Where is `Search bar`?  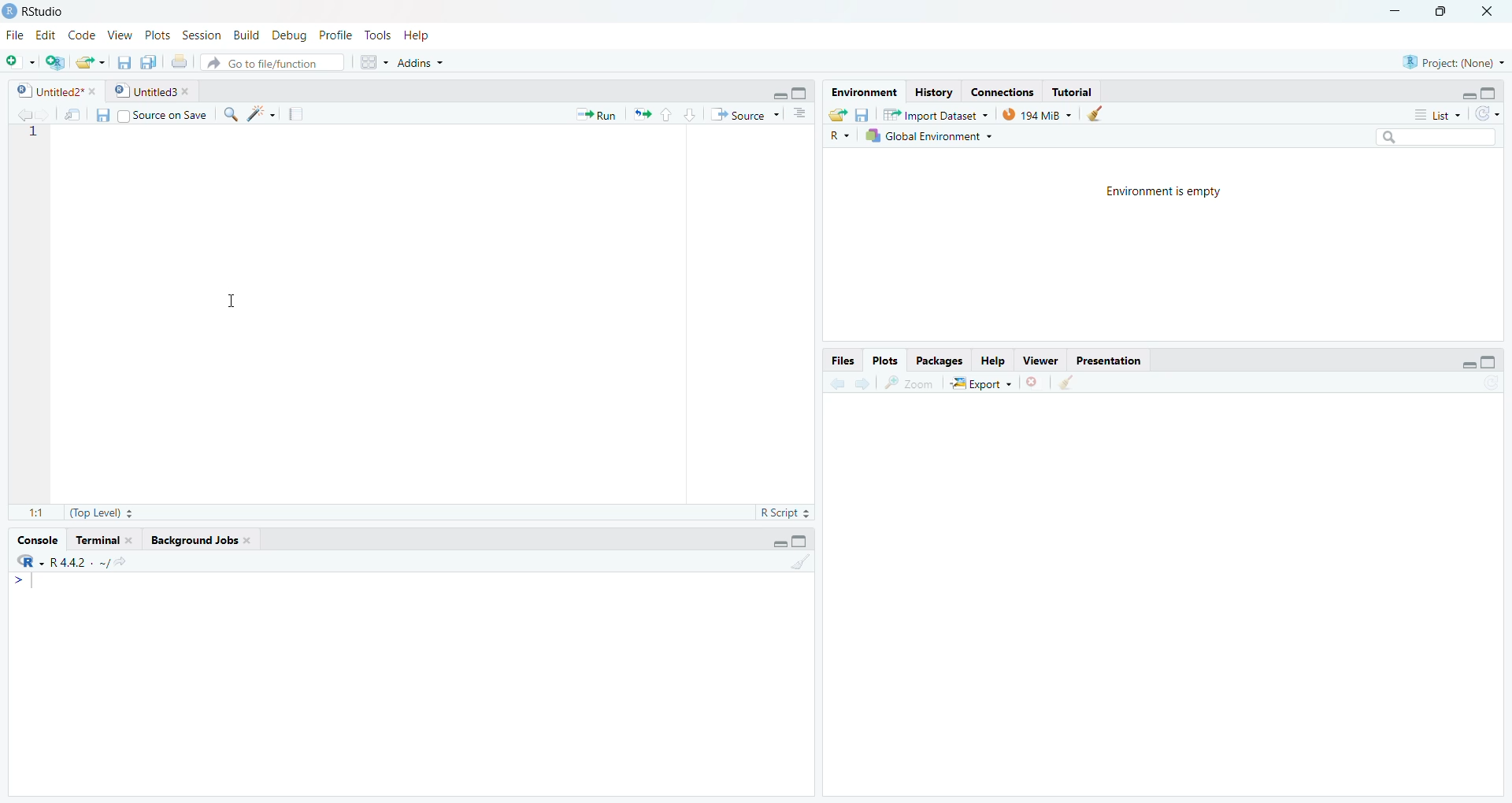
Search bar is located at coordinates (1438, 135).